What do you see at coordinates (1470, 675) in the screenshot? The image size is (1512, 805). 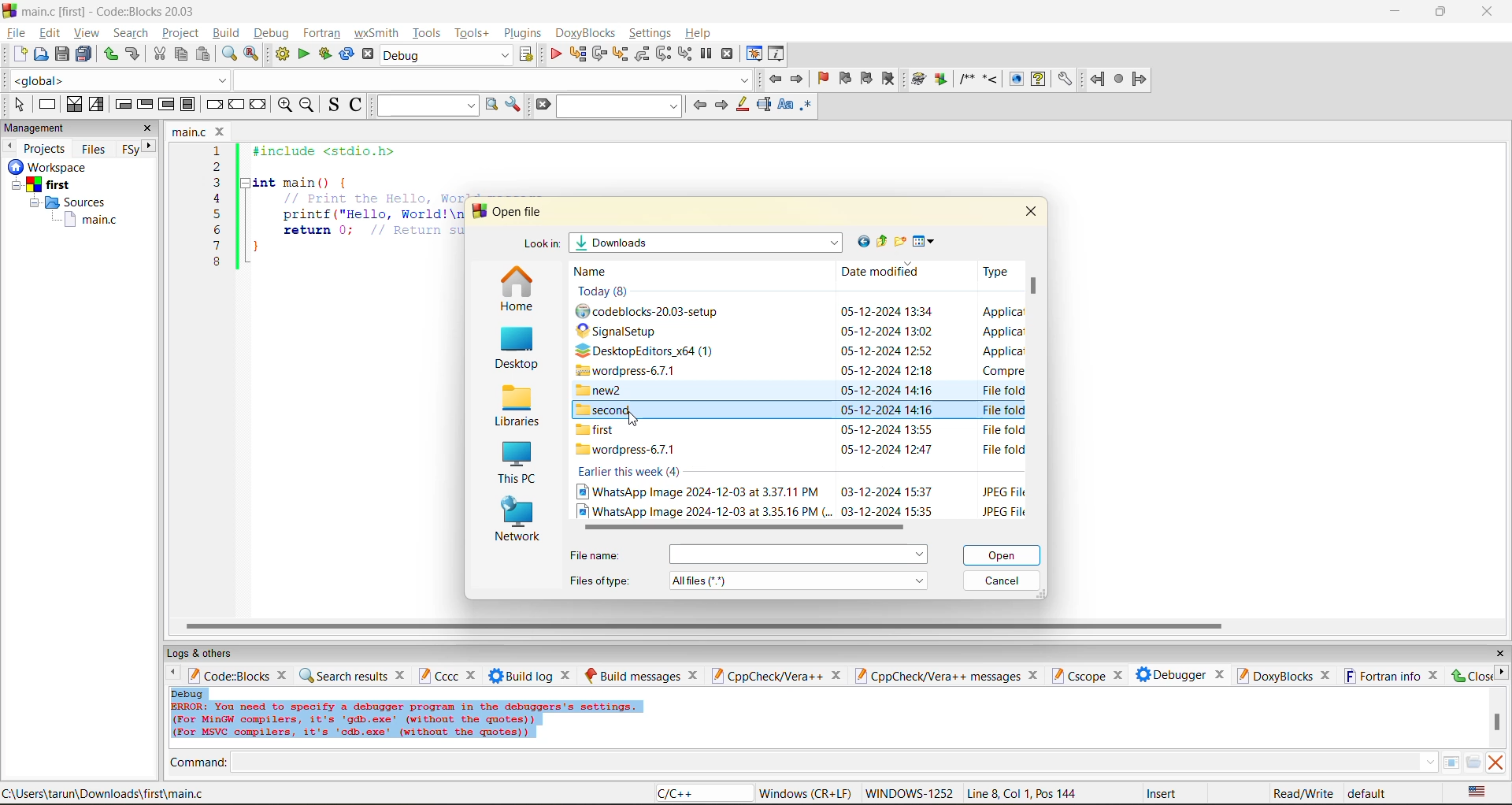 I see `close` at bounding box center [1470, 675].